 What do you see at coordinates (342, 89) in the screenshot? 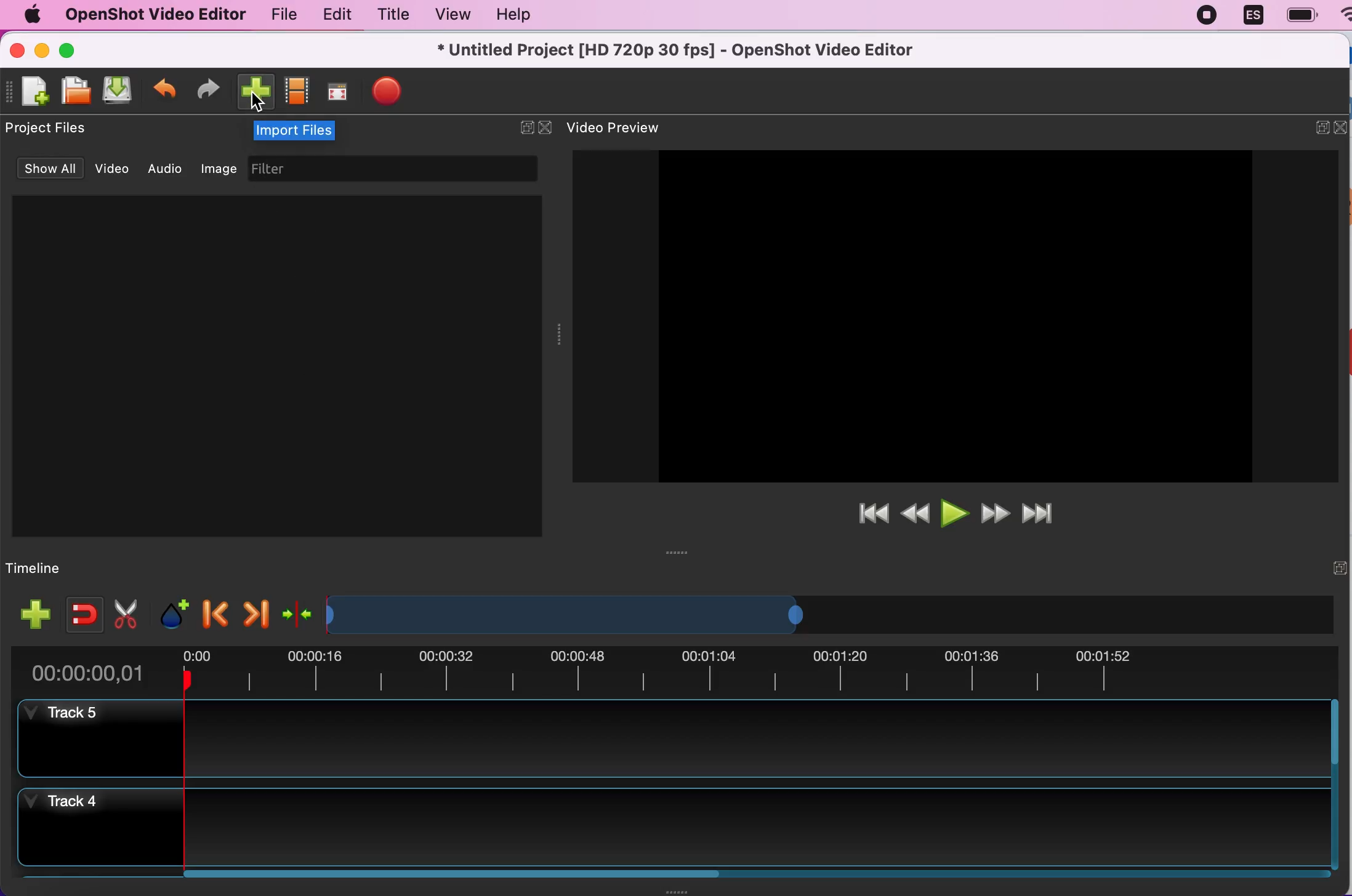
I see `full screen` at bounding box center [342, 89].